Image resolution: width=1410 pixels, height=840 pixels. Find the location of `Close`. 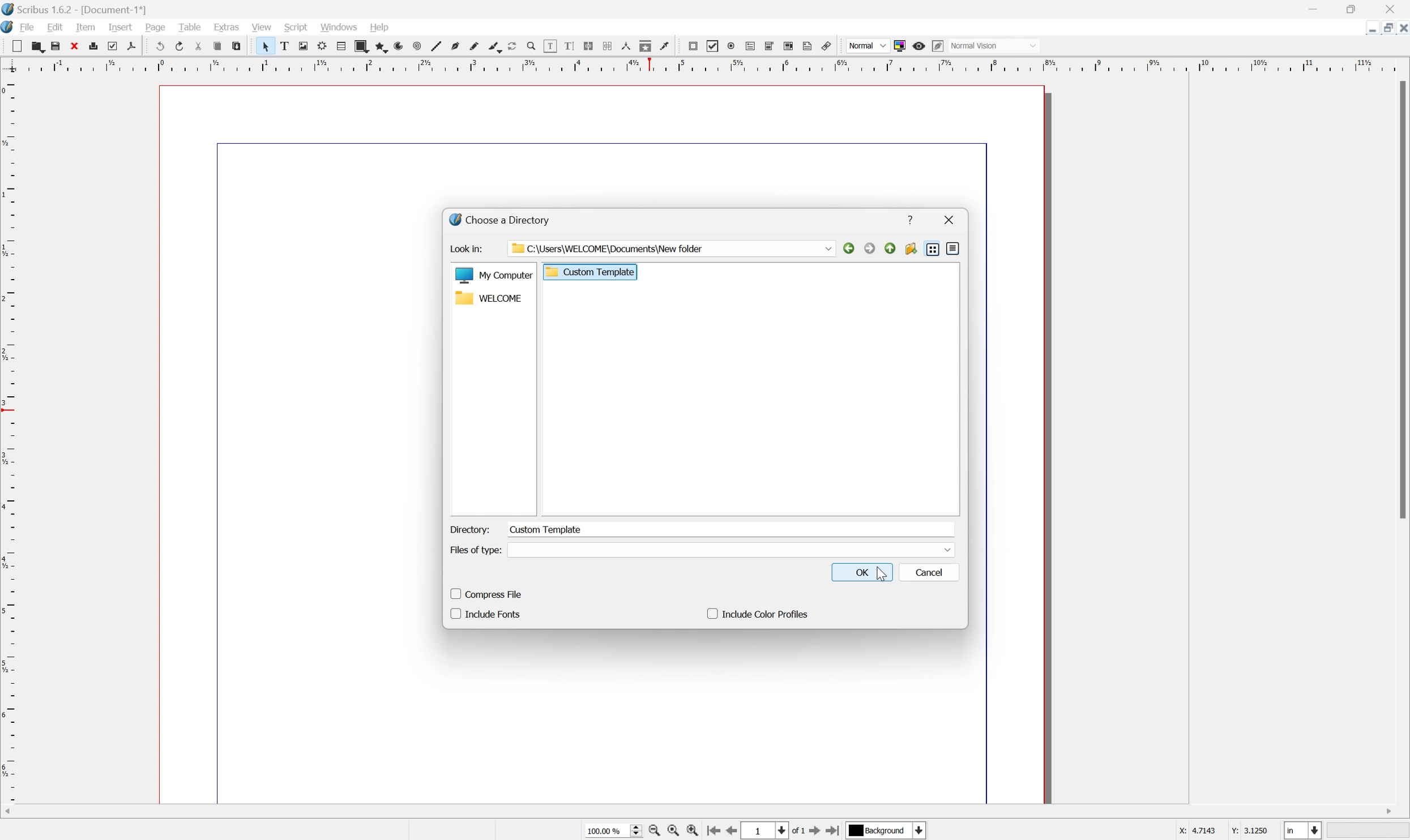

Close is located at coordinates (1392, 9).